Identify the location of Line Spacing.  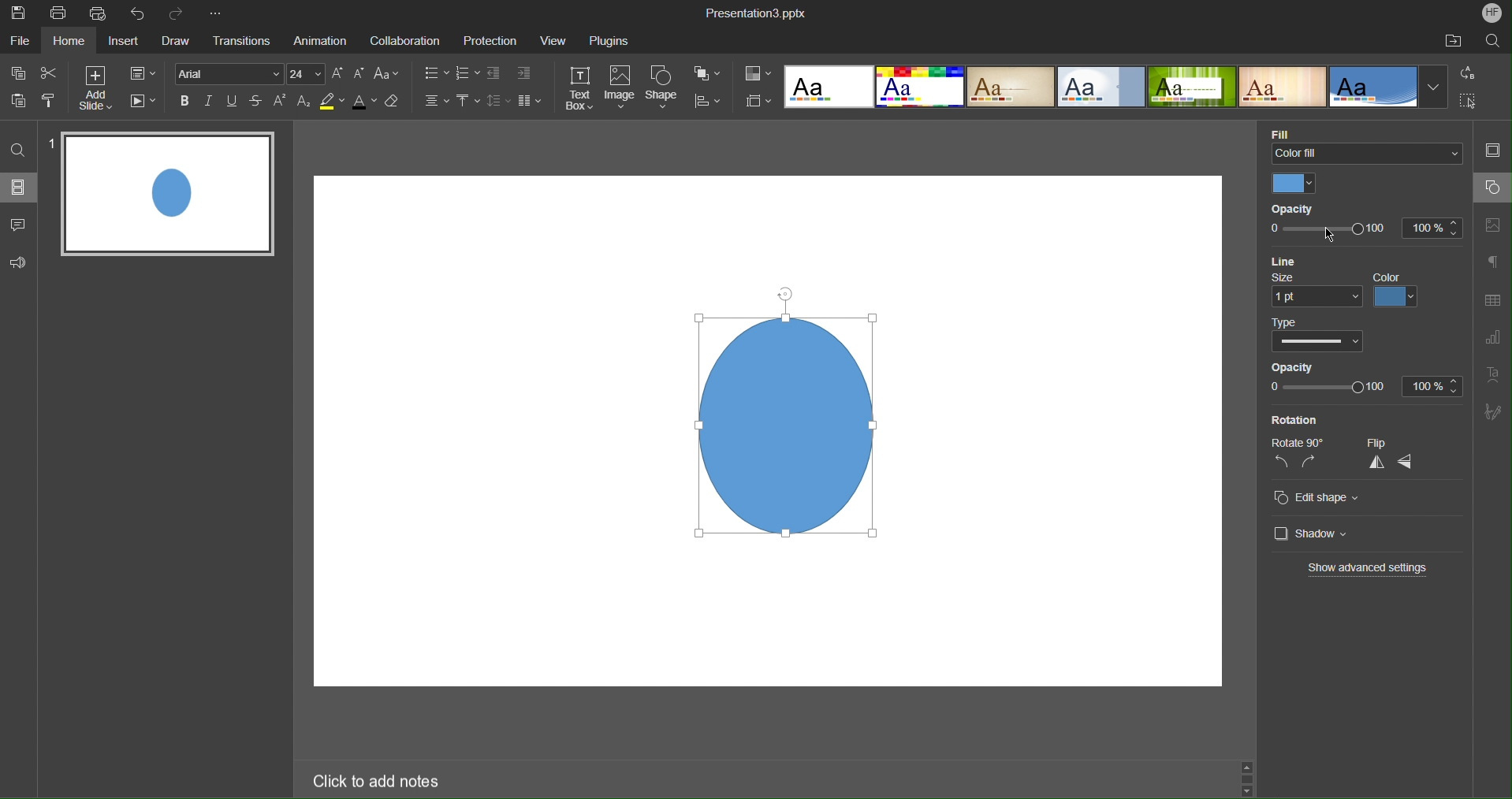
(497, 102).